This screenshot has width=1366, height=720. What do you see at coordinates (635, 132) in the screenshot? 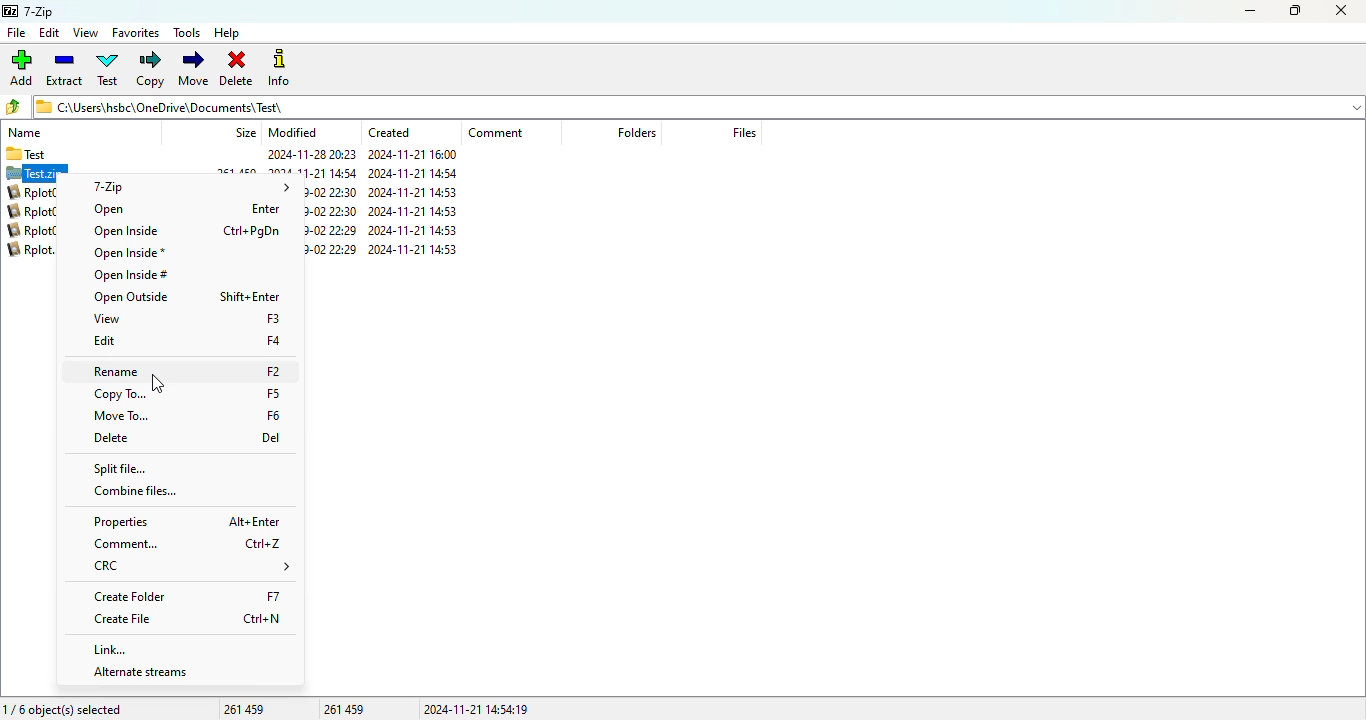
I see `folders` at bounding box center [635, 132].